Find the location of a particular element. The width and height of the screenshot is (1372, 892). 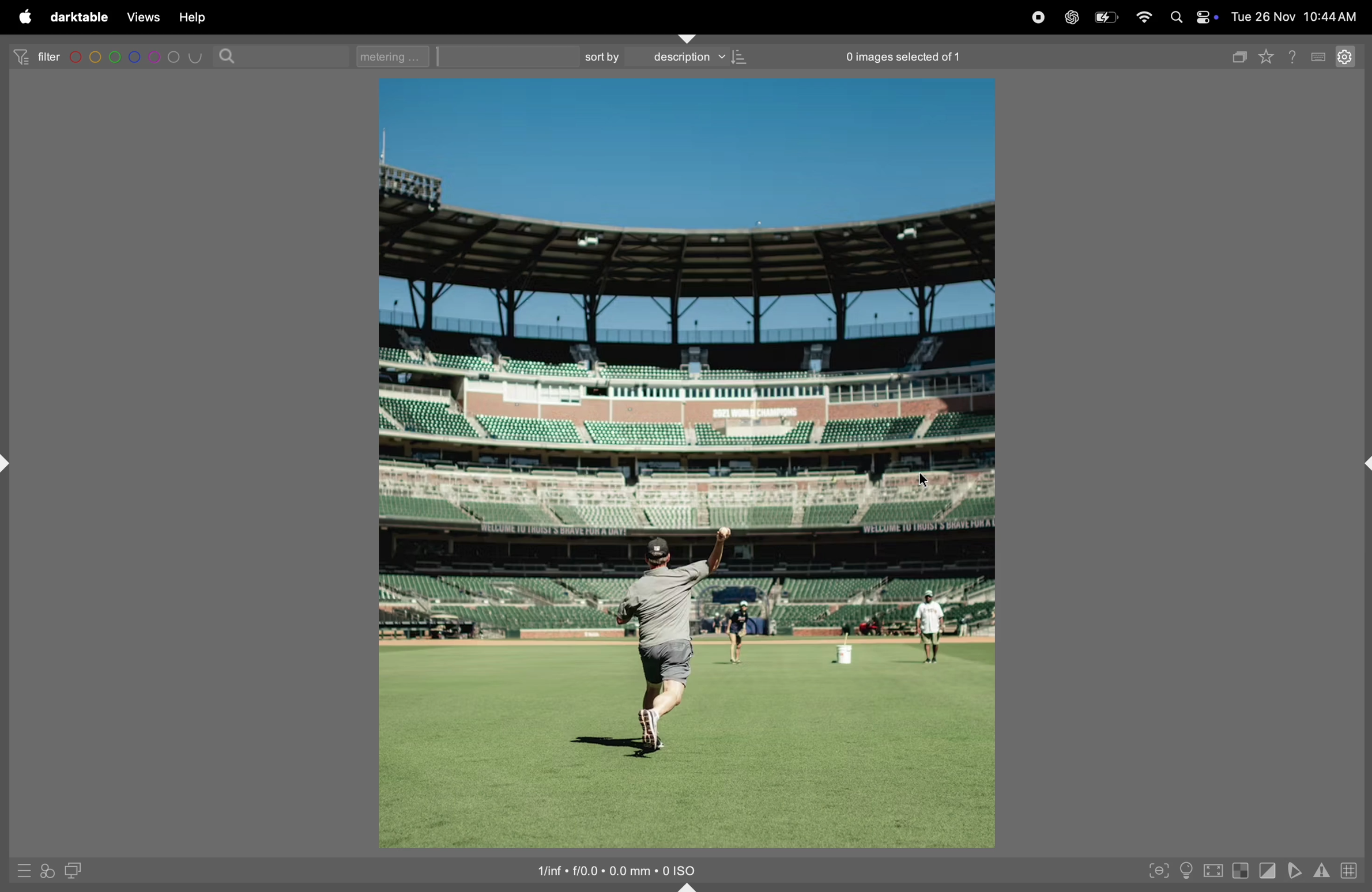

 is located at coordinates (1239, 56).